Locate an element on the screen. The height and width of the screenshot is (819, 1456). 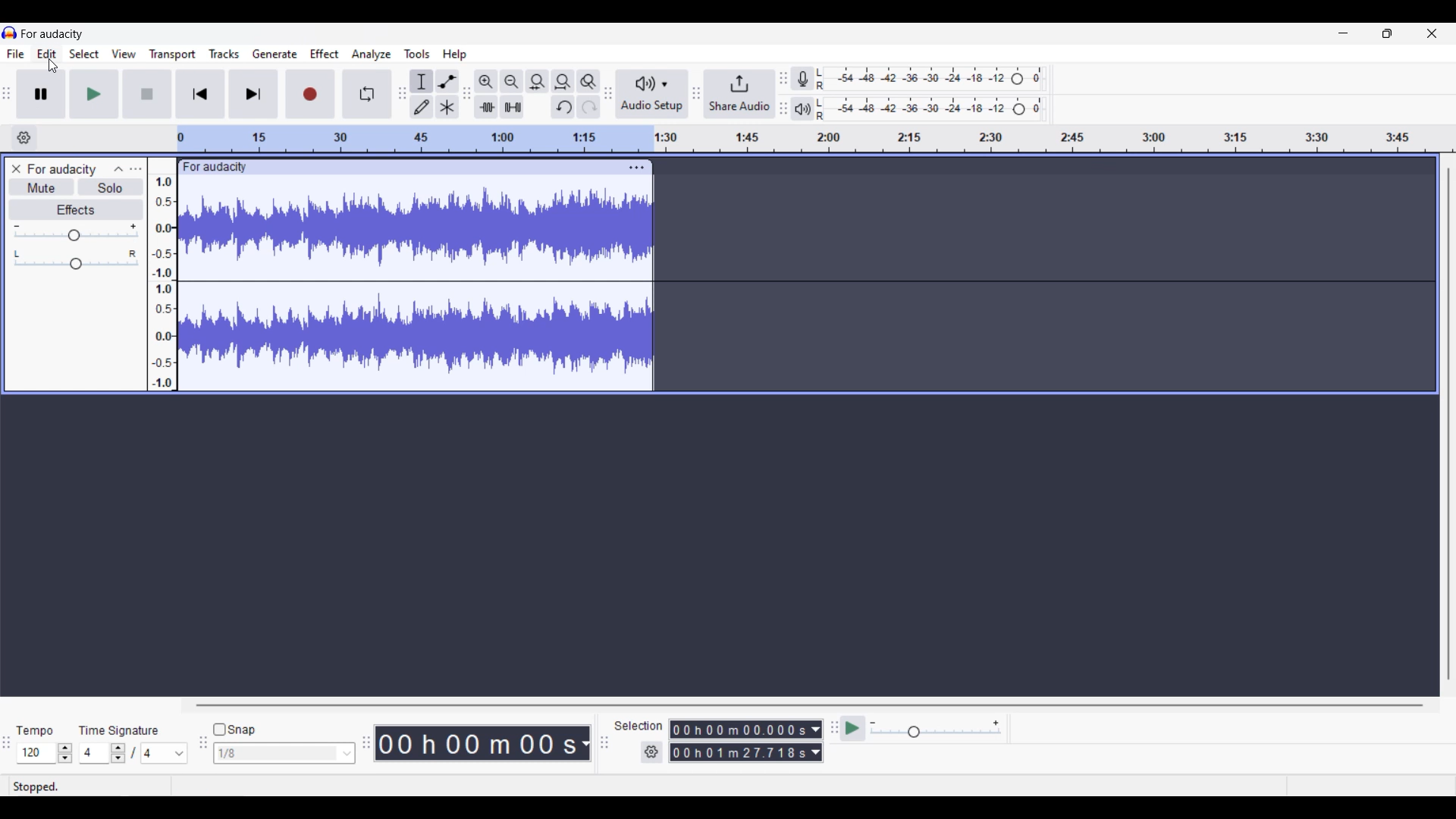
Redo is located at coordinates (588, 107).